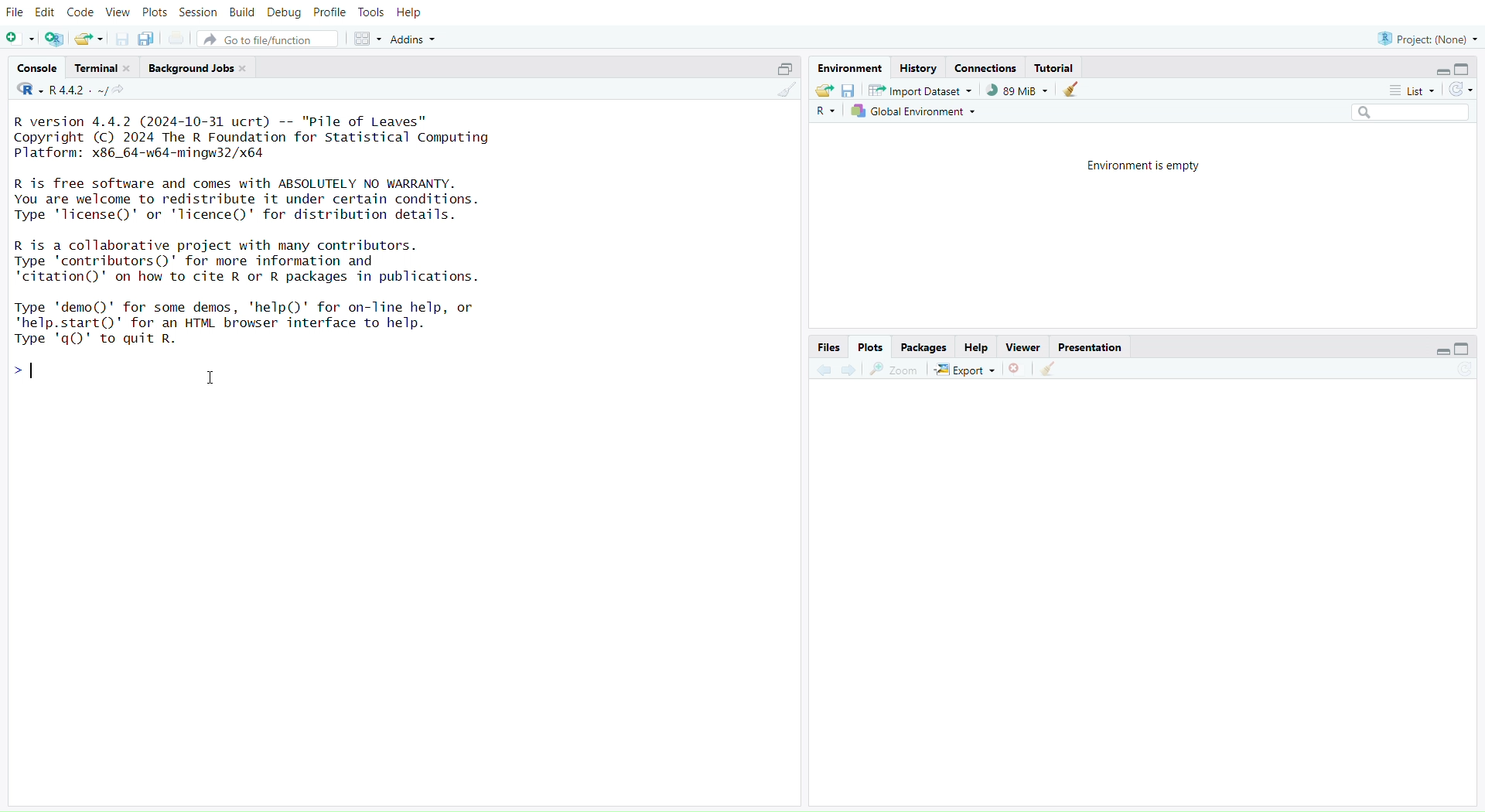 This screenshot has width=1485, height=812. Describe the element at coordinates (329, 13) in the screenshot. I see `Profile` at that location.